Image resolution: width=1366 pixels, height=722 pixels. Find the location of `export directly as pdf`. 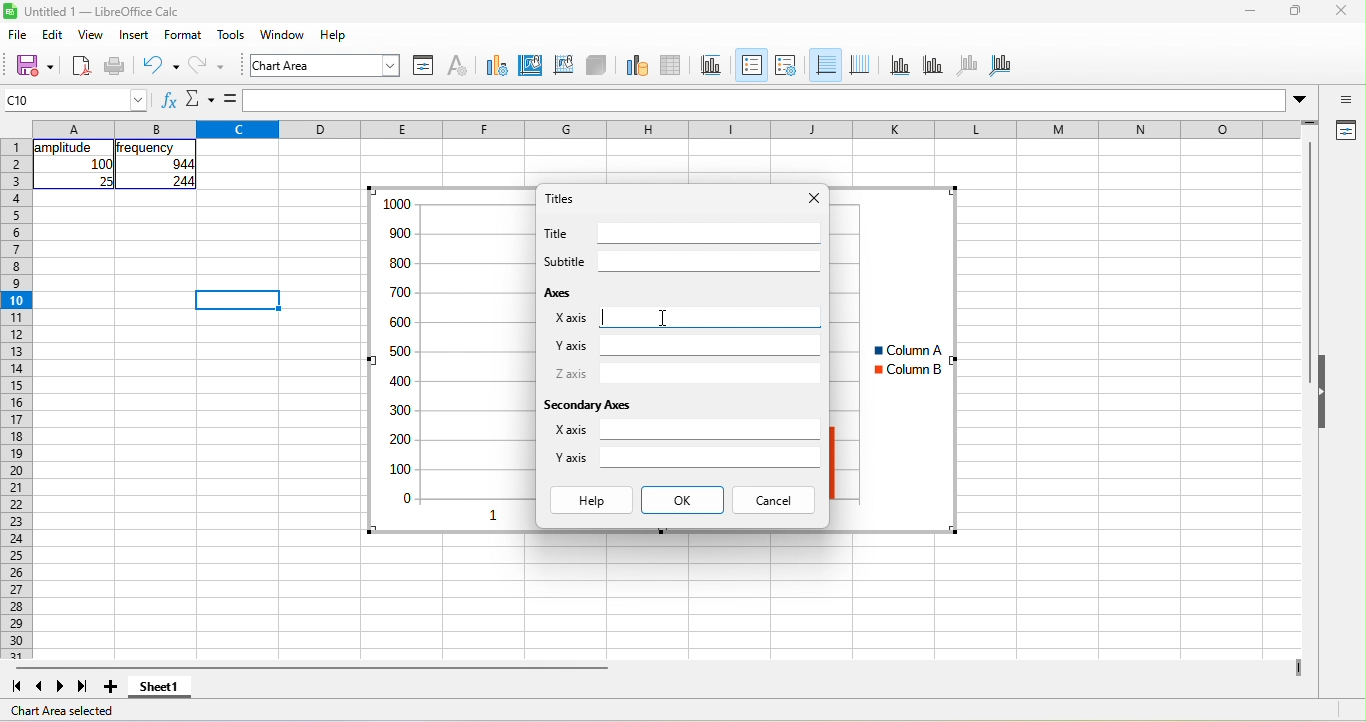

export directly as pdf is located at coordinates (81, 67).